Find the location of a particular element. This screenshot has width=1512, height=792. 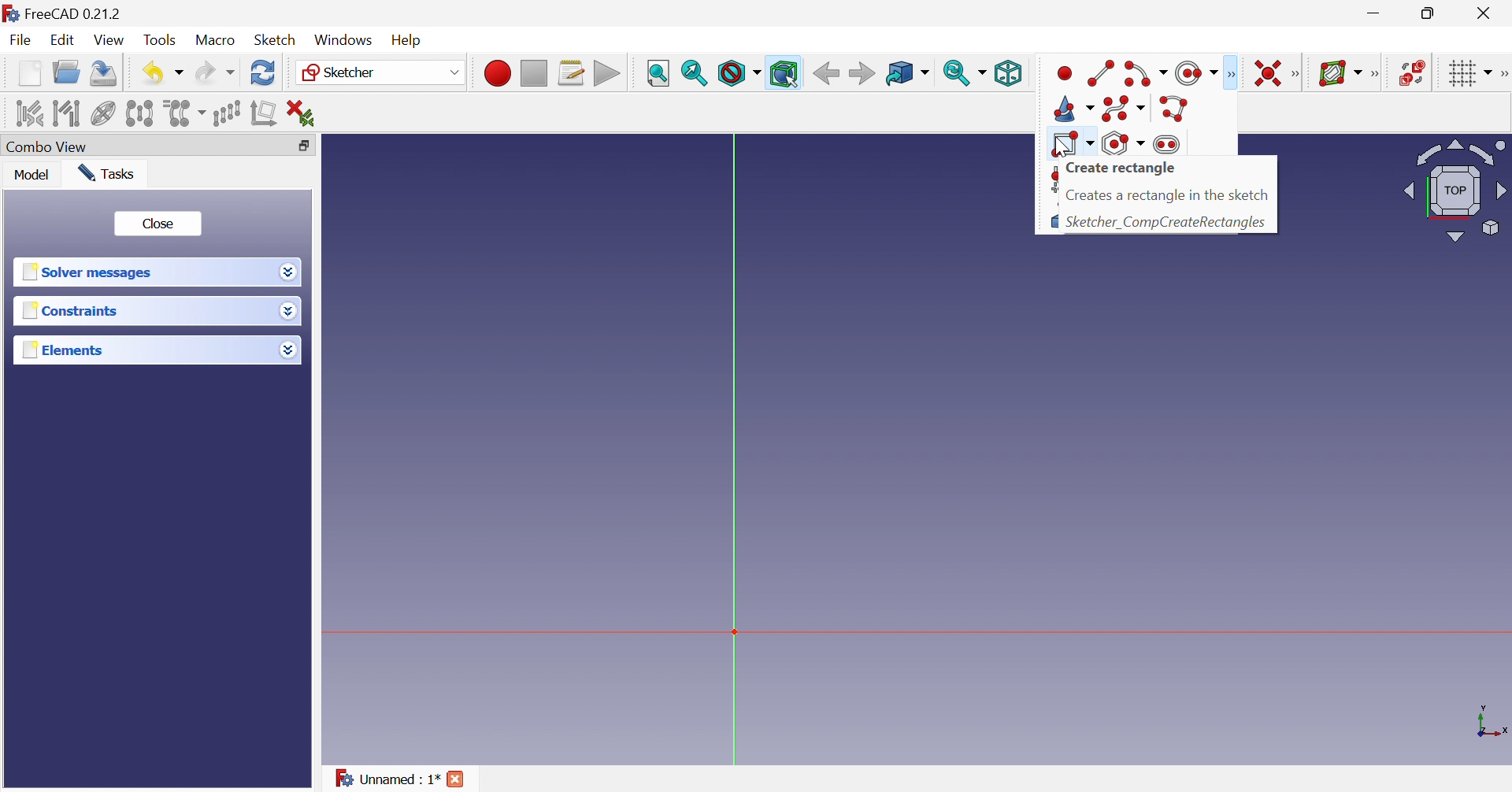

Create B-spline is located at coordinates (1124, 109).